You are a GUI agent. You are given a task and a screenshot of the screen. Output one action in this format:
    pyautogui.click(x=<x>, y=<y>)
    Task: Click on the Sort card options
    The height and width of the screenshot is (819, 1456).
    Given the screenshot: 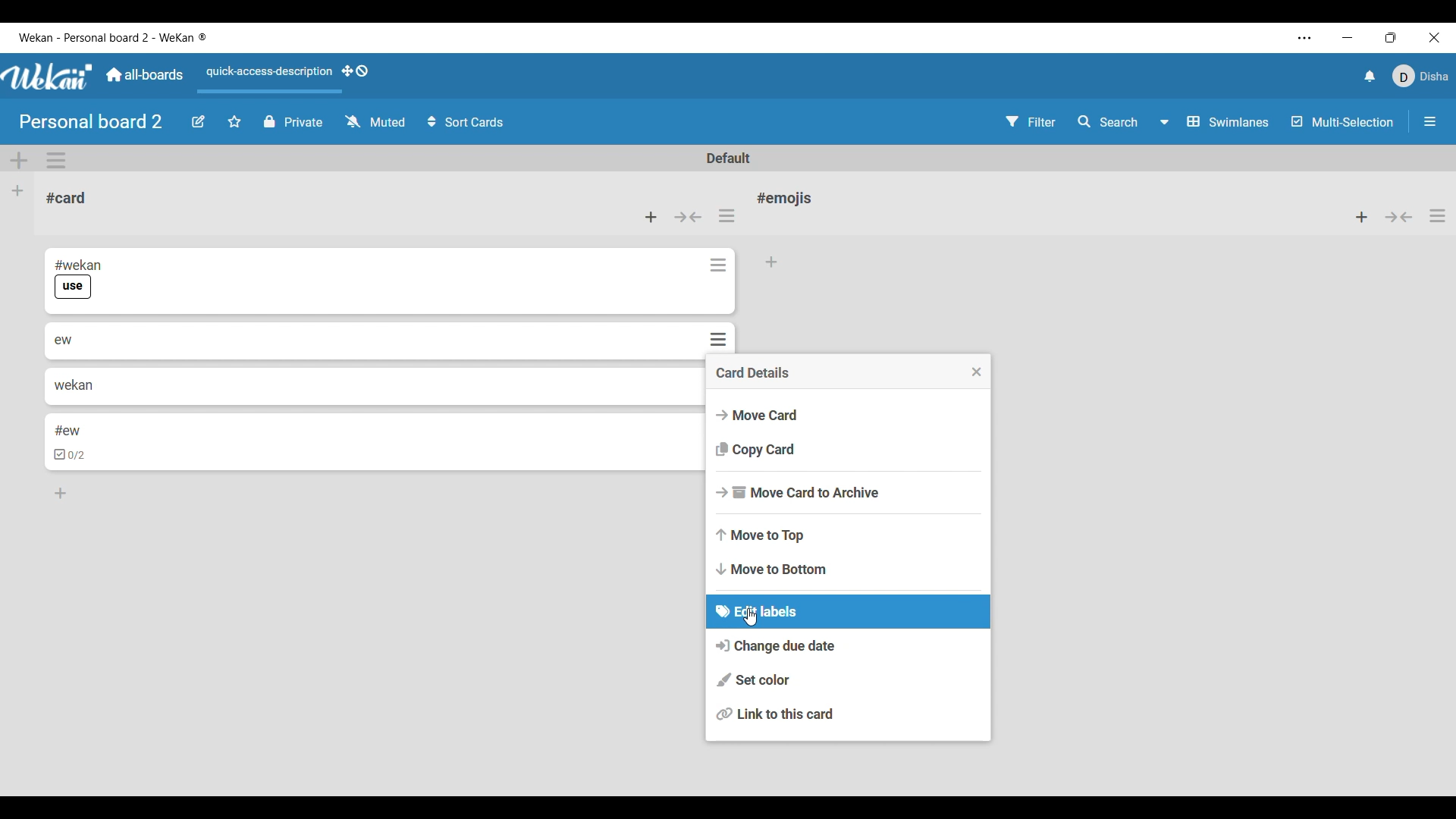 What is the action you would take?
    pyautogui.click(x=466, y=121)
    